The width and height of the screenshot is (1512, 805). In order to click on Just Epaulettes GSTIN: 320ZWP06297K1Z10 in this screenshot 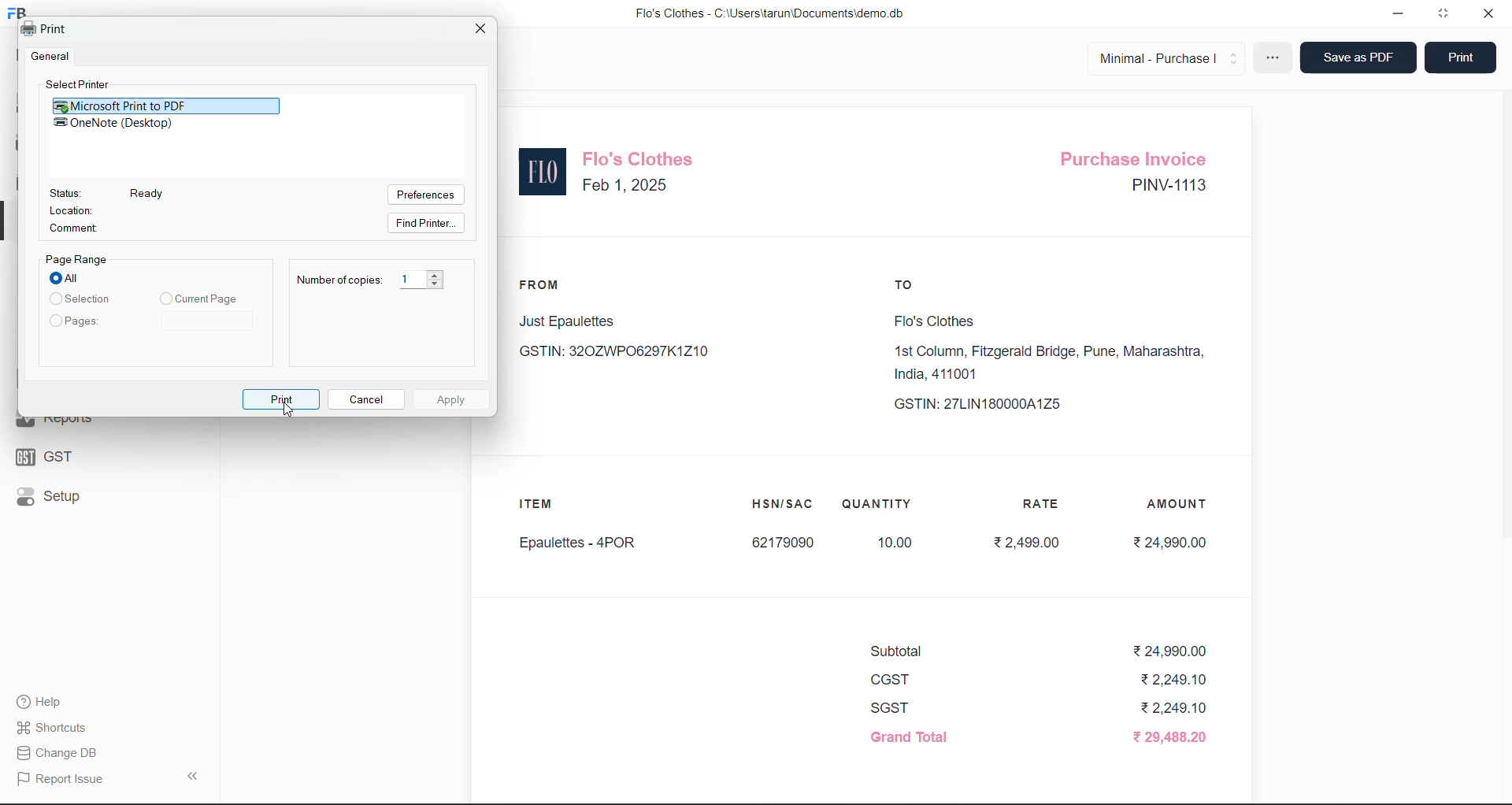, I will do `click(618, 339)`.